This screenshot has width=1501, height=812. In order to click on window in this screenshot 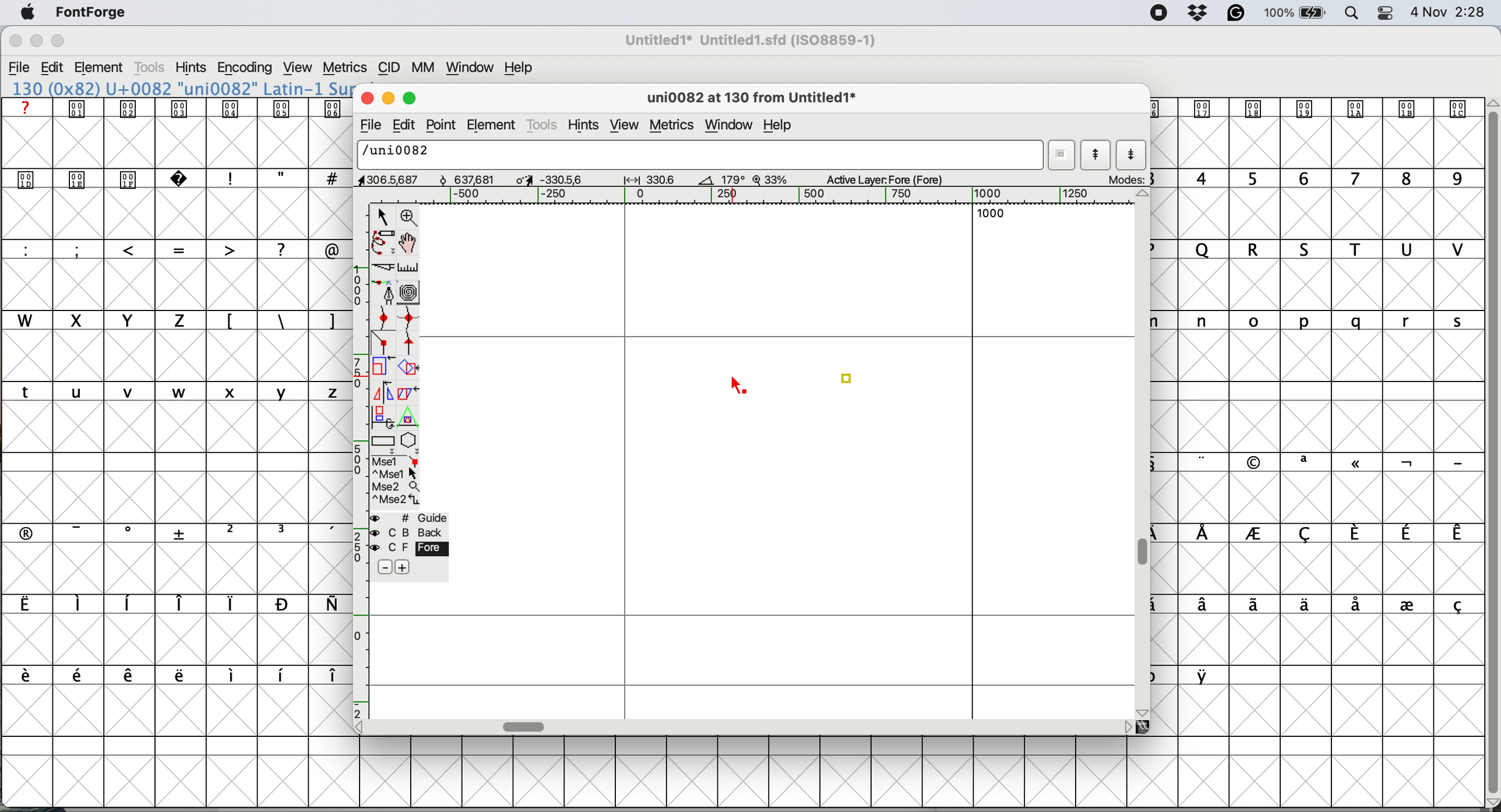, I will do `click(732, 125)`.